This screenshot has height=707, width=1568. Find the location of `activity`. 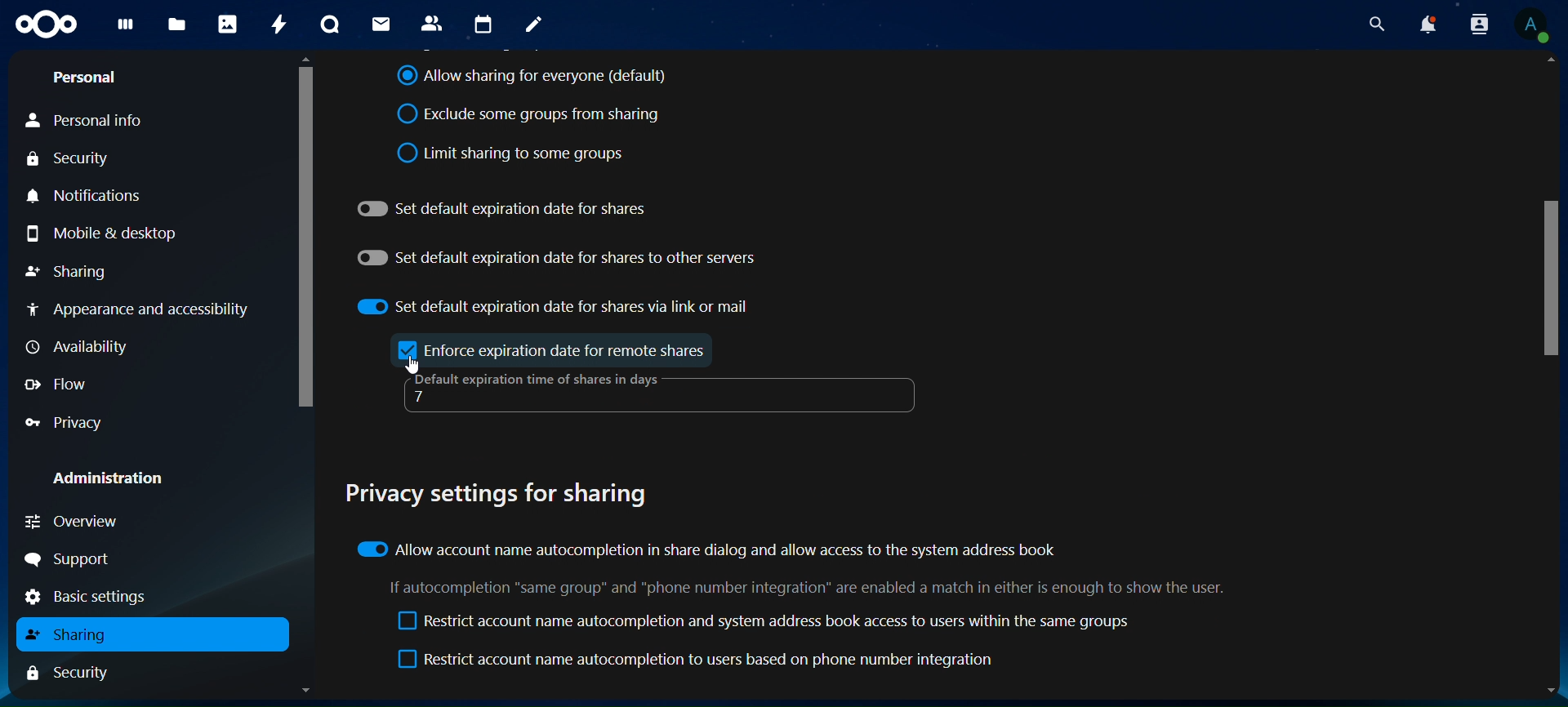

activity is located at coordinates (274, 23).